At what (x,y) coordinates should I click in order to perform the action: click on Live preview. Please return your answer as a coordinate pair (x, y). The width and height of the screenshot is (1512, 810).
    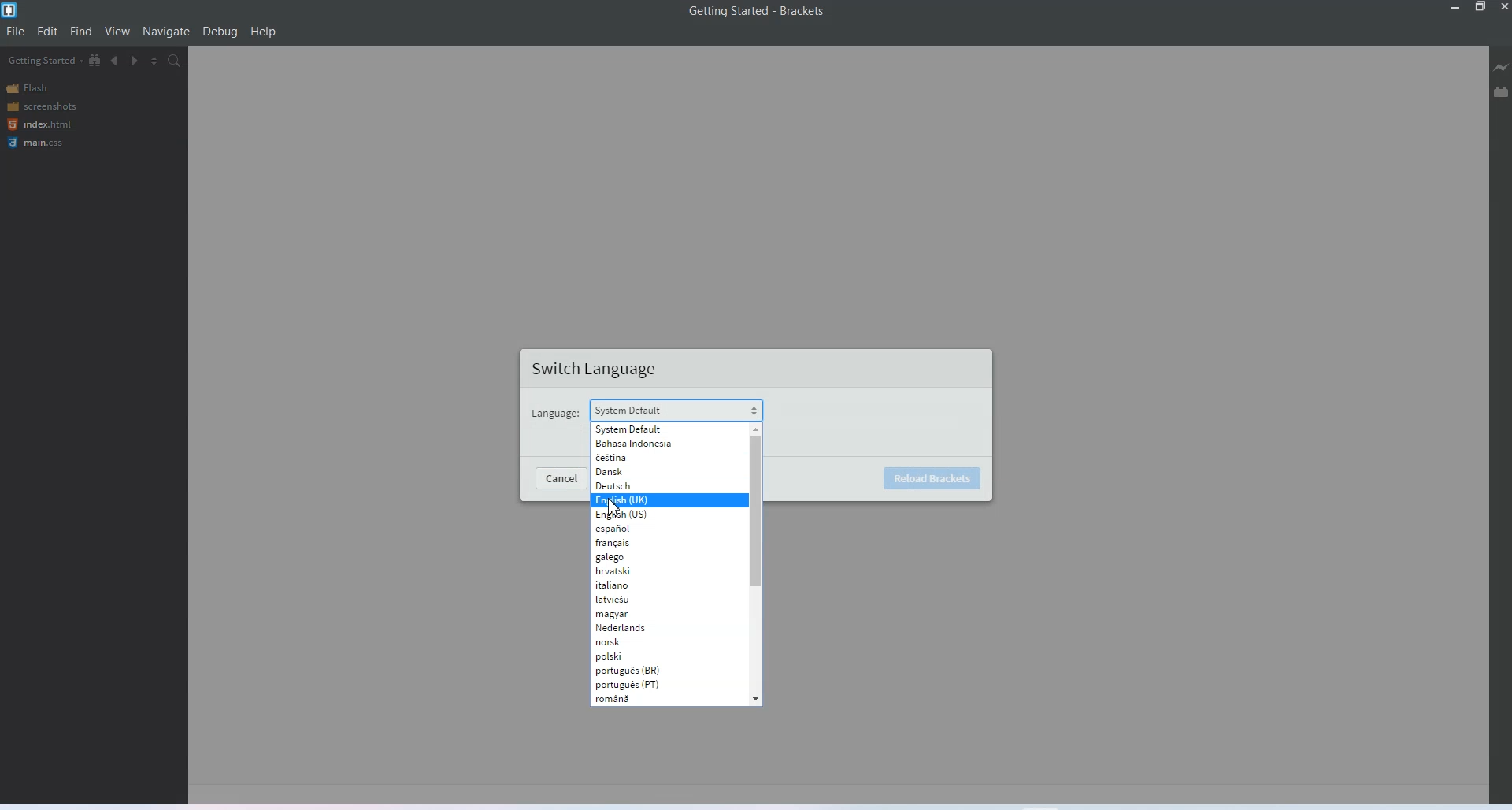
    Looking at the image, I should click on (1502, 67).